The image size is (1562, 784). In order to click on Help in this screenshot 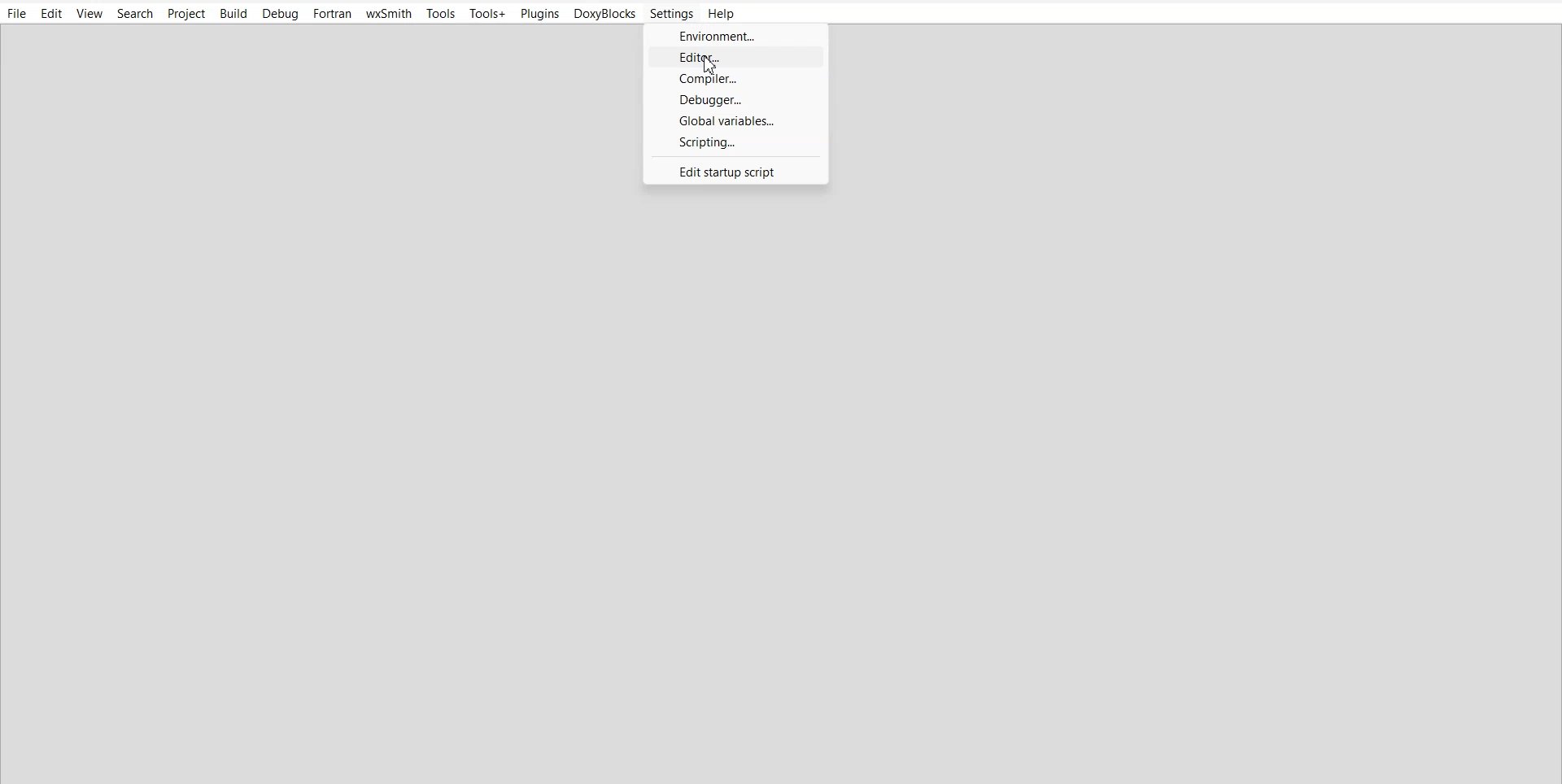, I will do `click(722, 14)`.